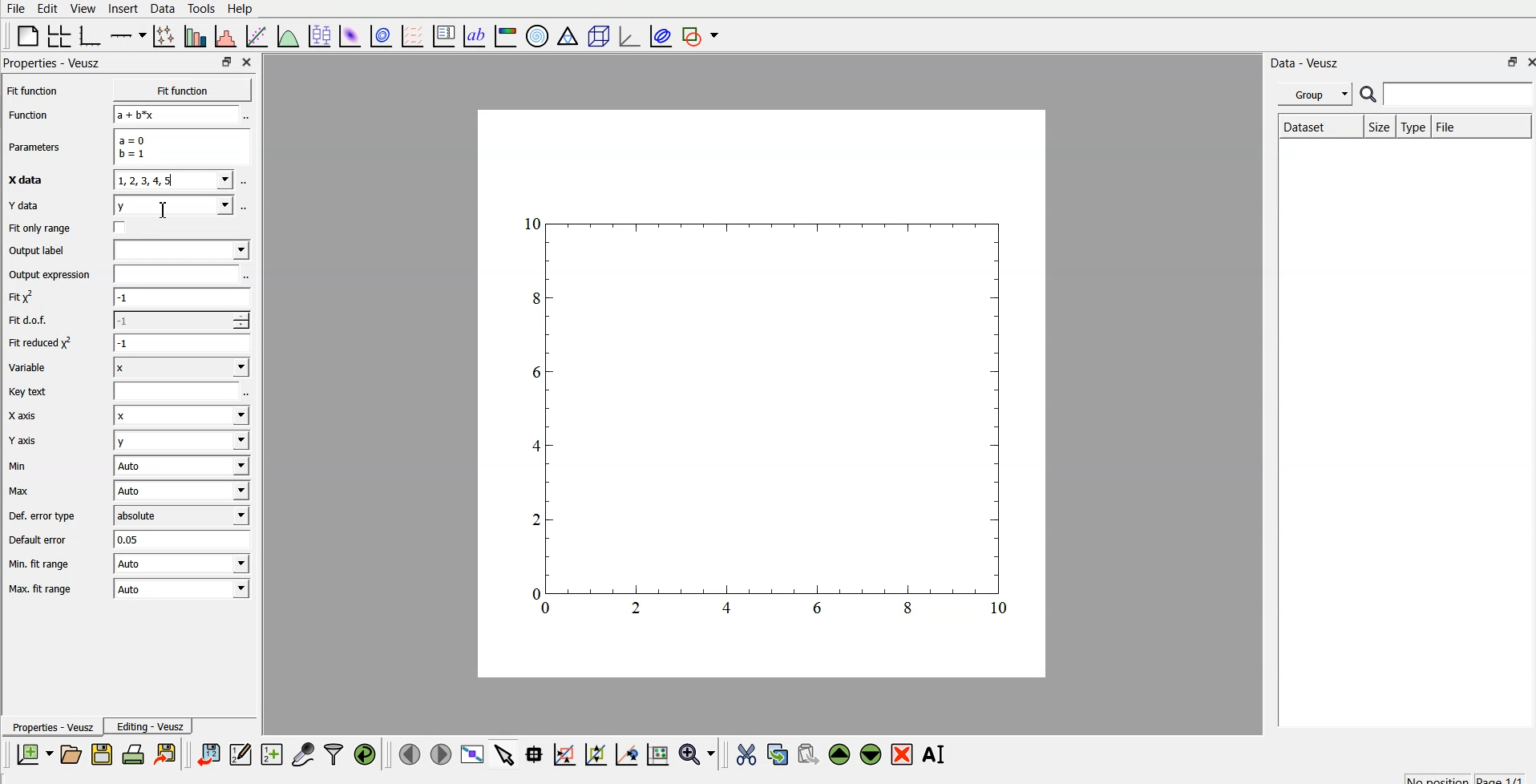 The image size is (1536, 784). I want to click on Fit dof., so click(40, 321).